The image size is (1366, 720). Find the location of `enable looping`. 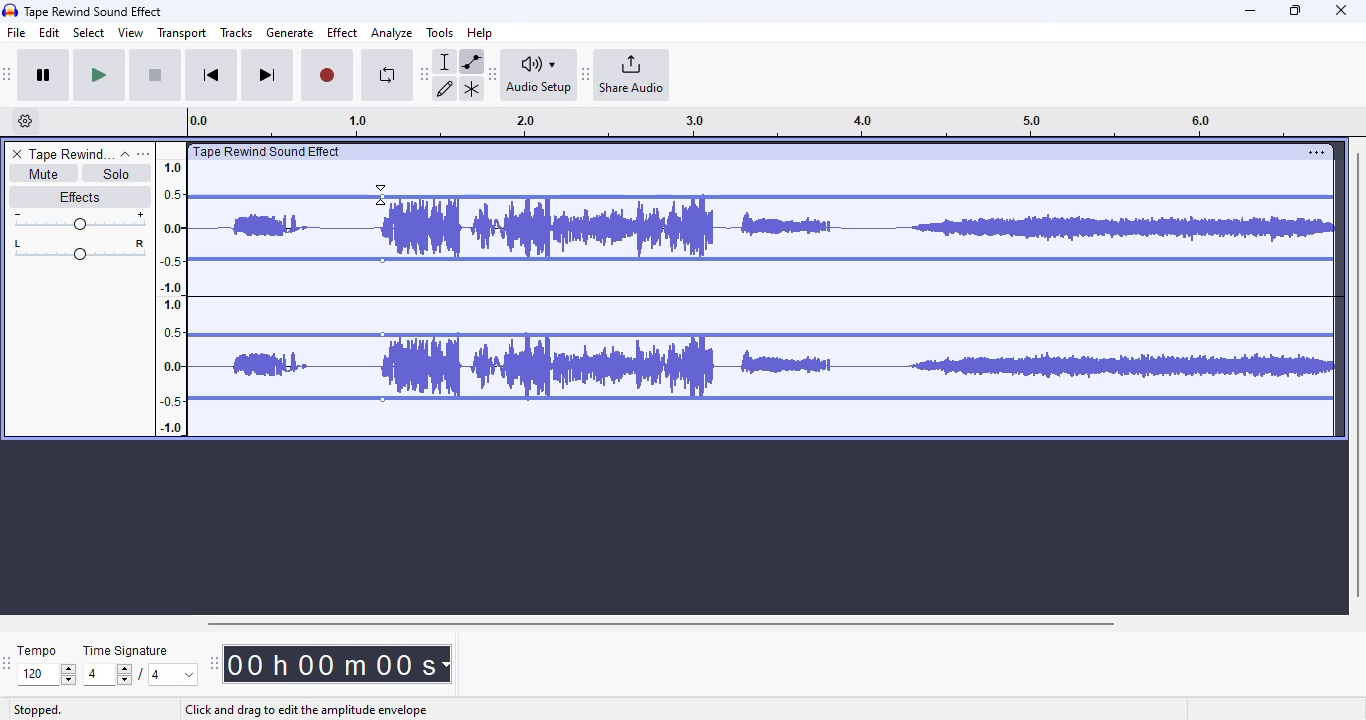

enable looping is located at coordinates (386, 75).